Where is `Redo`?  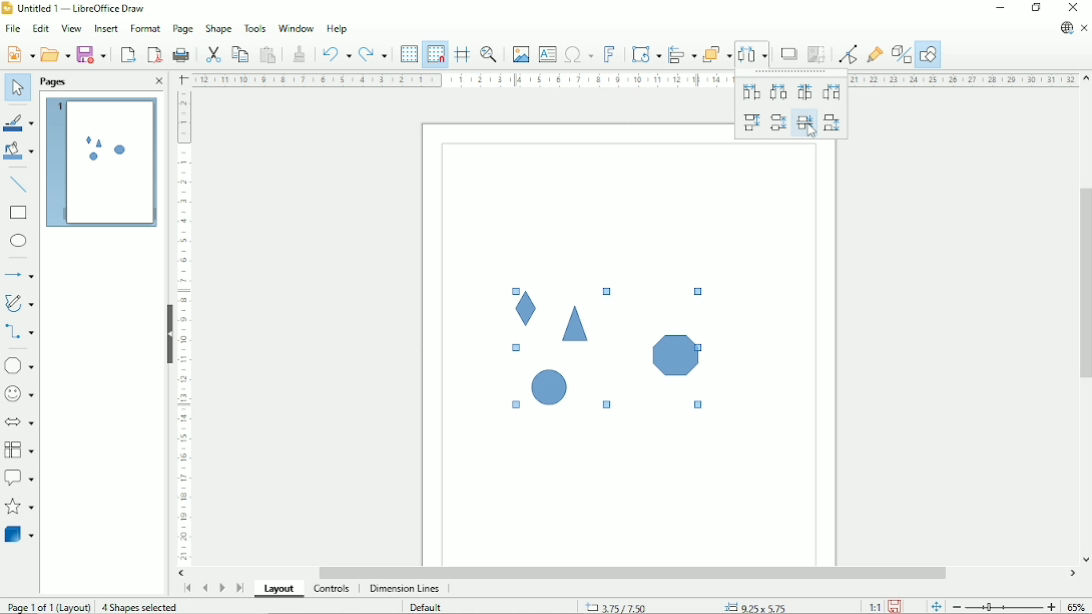
Redo is located at coordinates (374, 55).